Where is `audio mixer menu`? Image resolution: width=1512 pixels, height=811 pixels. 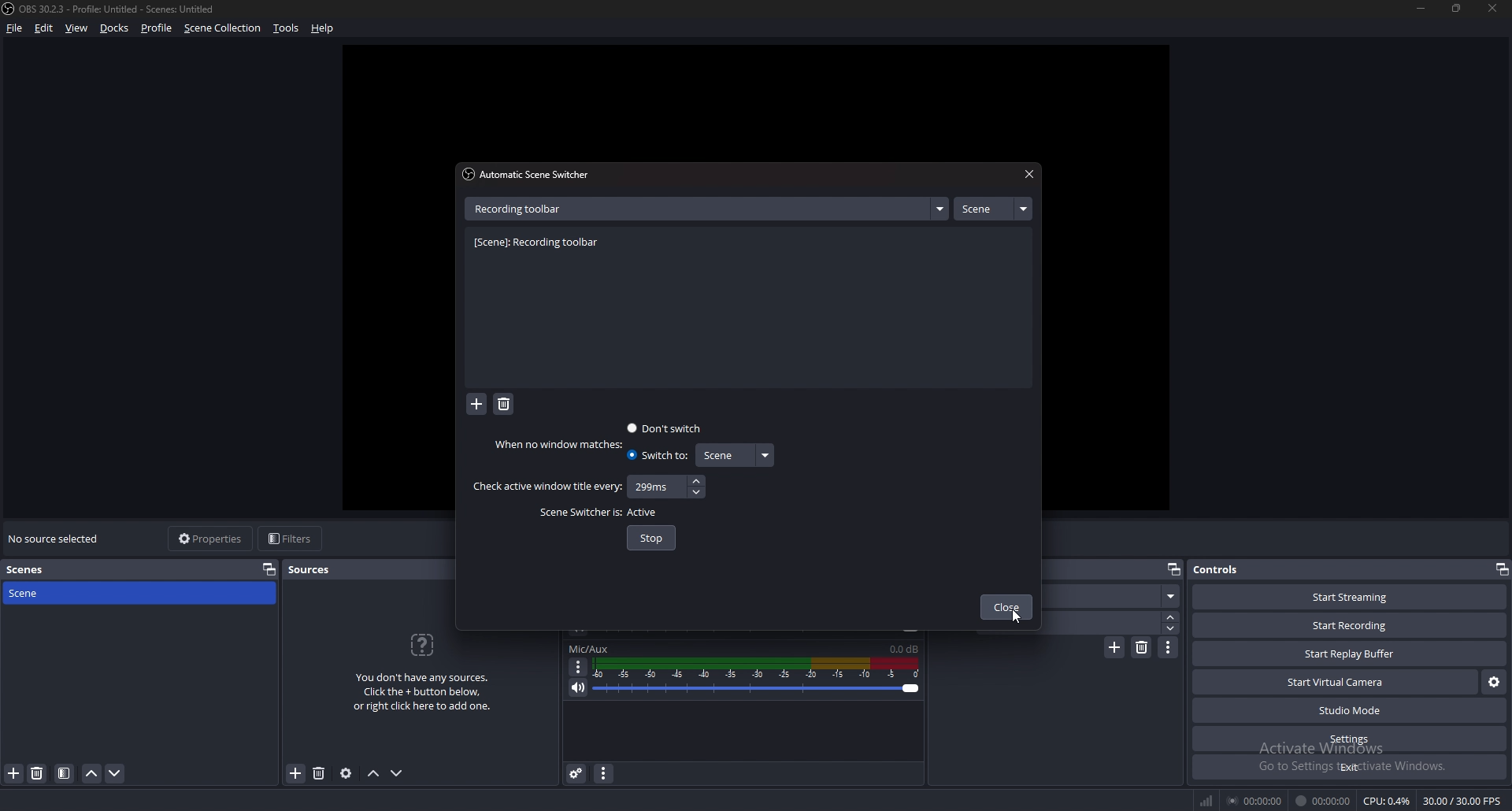
audio mixer menu is located at coordinates (603, 772).